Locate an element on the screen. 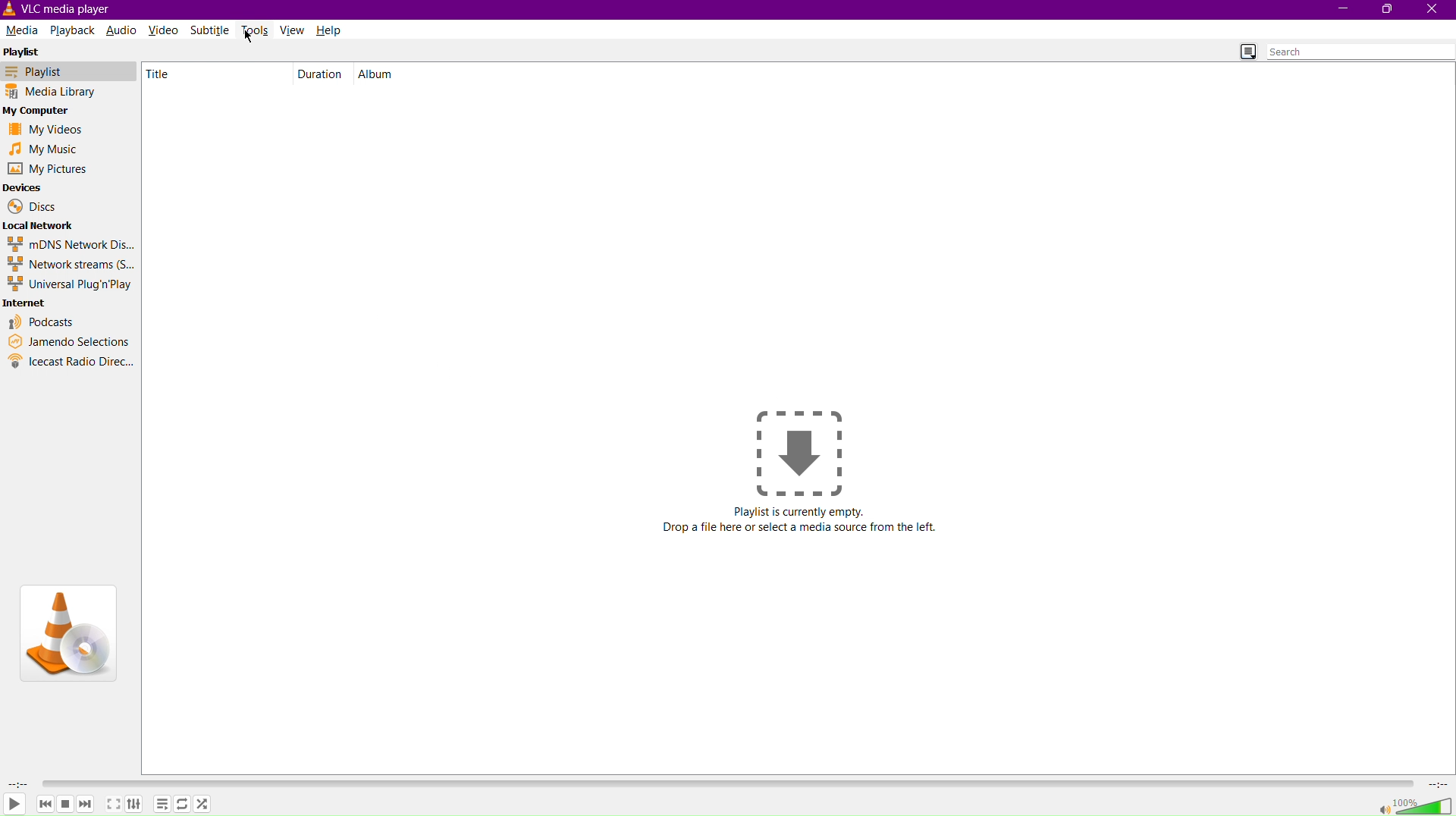  Subtitle is located at coordinates (215, 30).